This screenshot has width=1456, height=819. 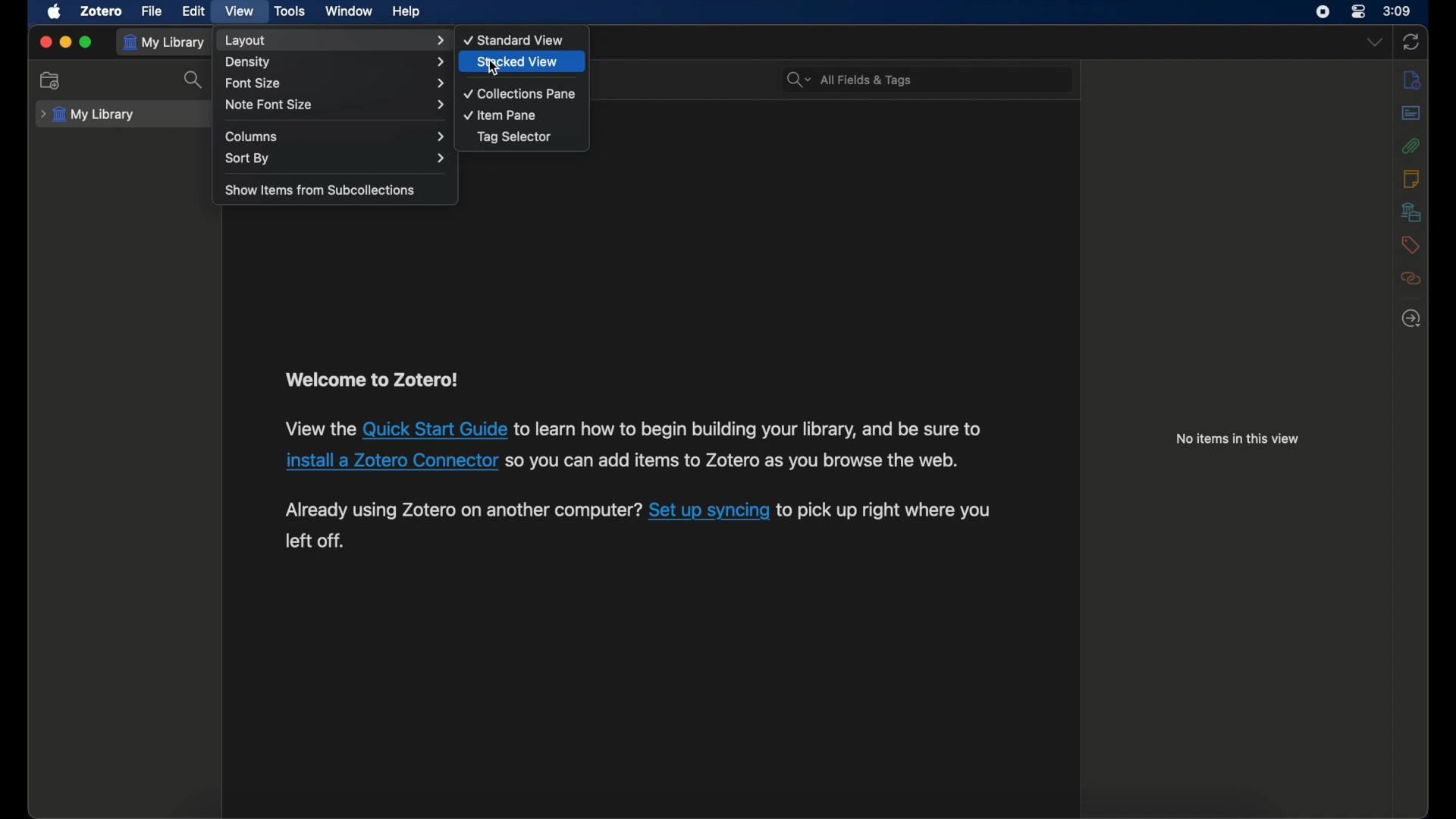 What do you see at coordinates (196, 79) in the screenshot?
I see `search` at bounding box center [196, 79].